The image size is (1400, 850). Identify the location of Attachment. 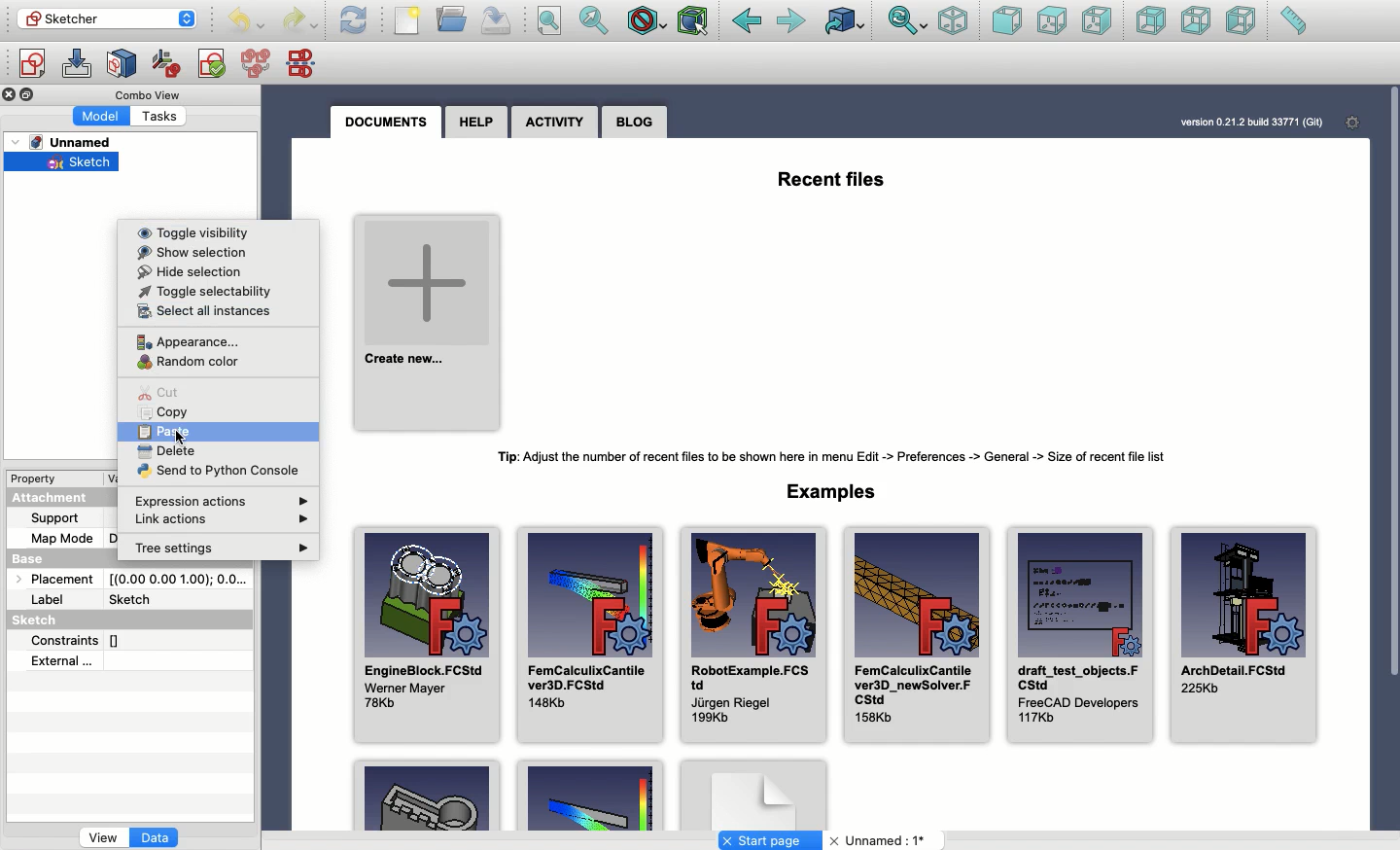
(54, 499).